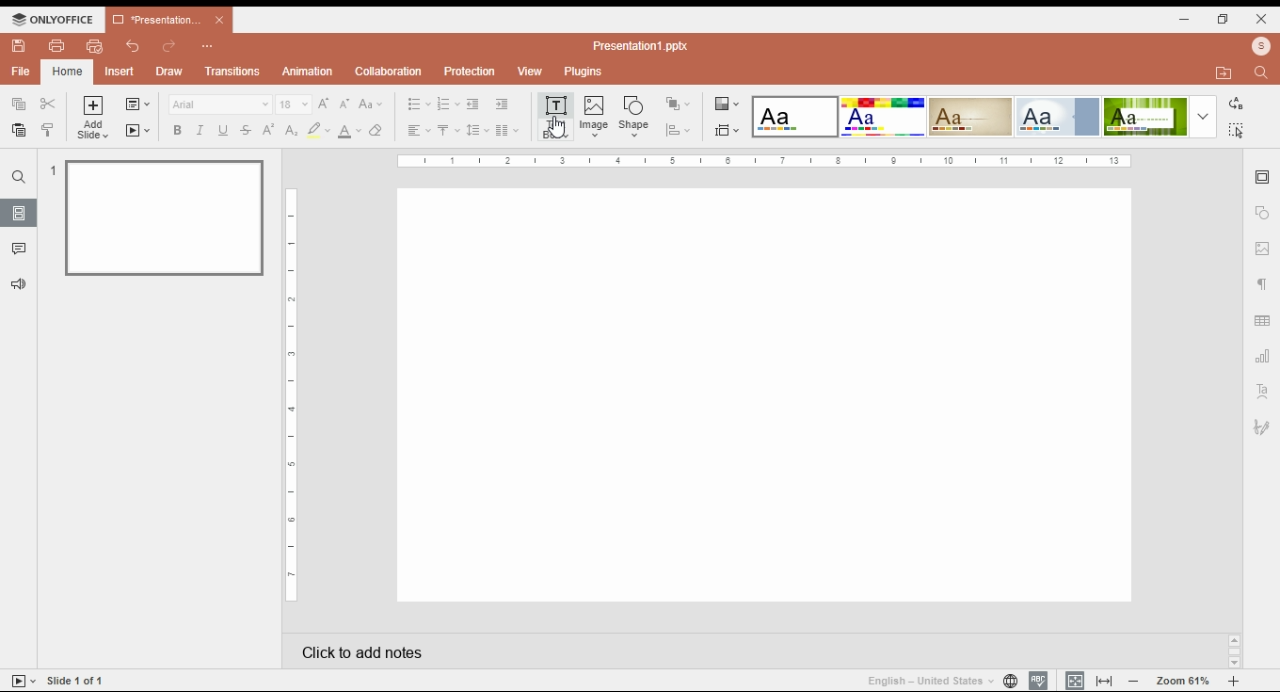  What do you see at coordinates (246, 131) in the screenshot?
I see `strikethrough` at bounding box center [246, 131].